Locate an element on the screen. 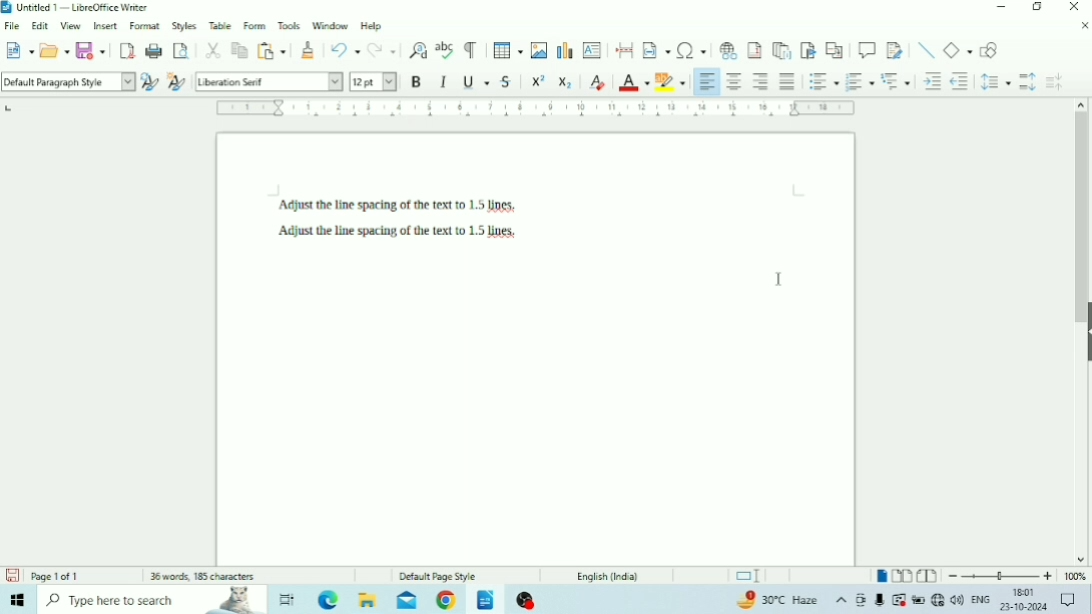 Image resolution: width=1092 pixels, height=614 pixels. Toggle Unordered List is located at coordinates (822, 79).